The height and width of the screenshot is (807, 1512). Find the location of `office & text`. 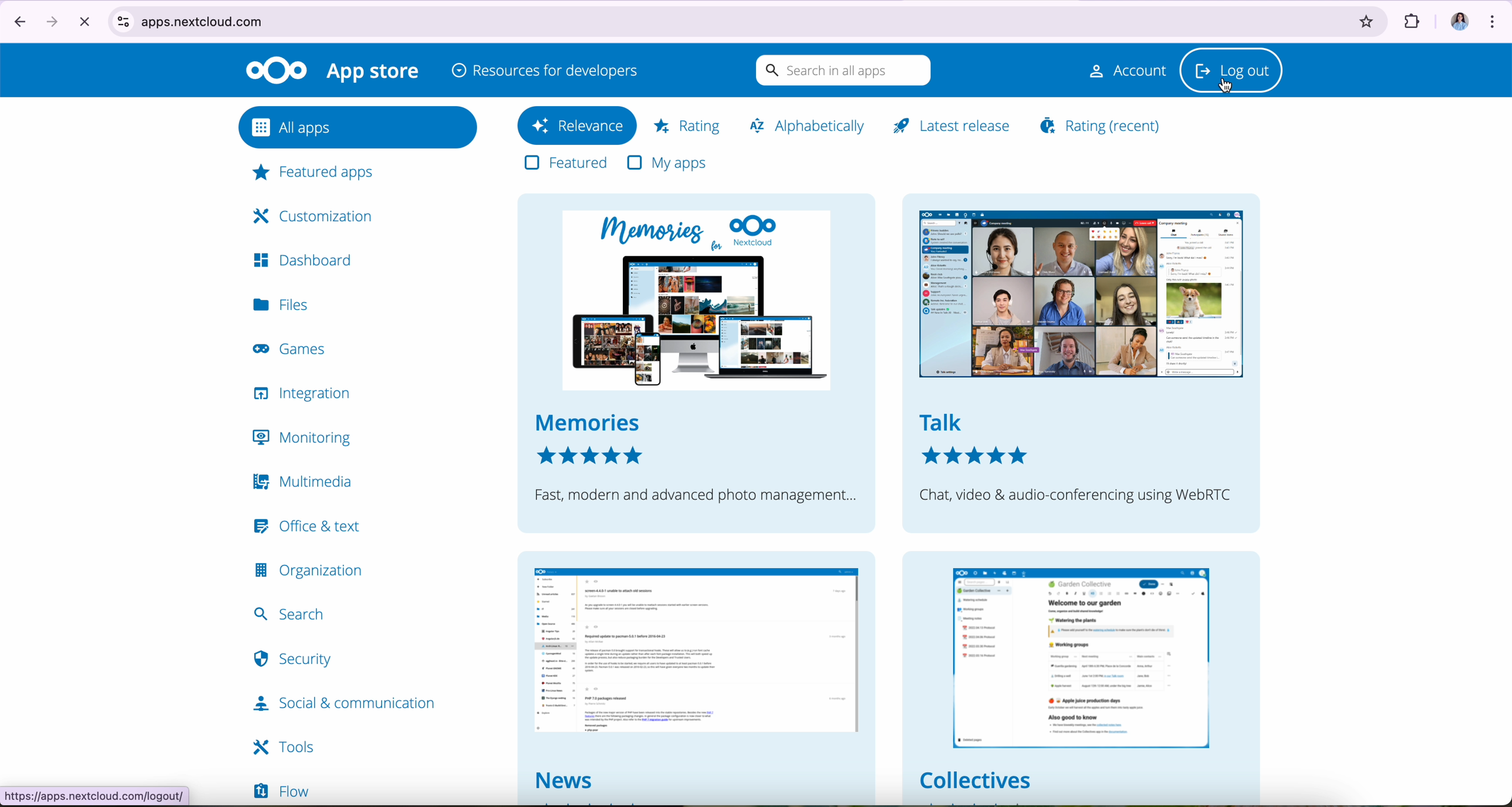

office & text is located at coordinates (308, 526).